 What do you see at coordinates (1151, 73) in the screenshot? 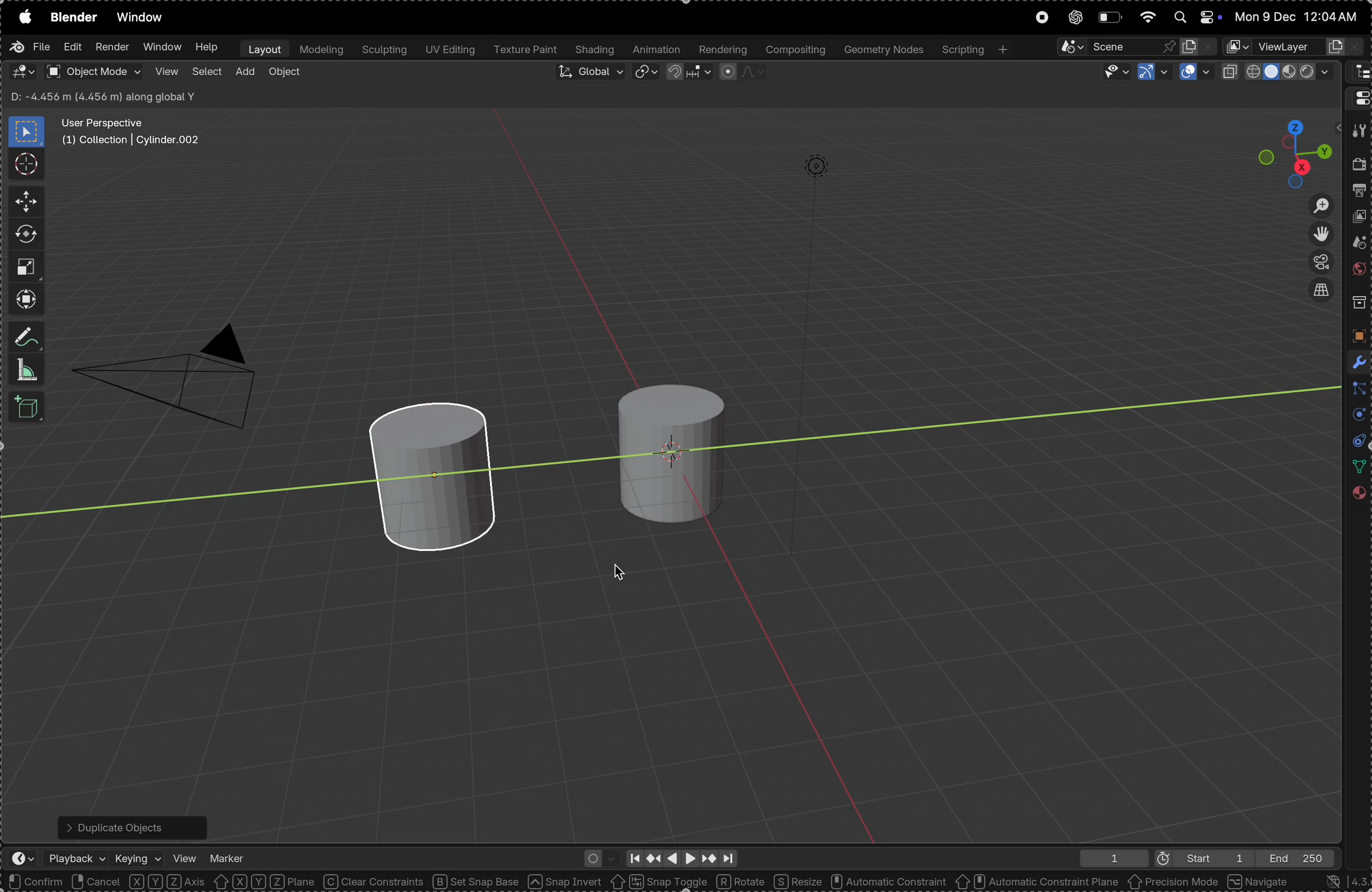
I see `show gimzo` at bounding box center [1151, 73].